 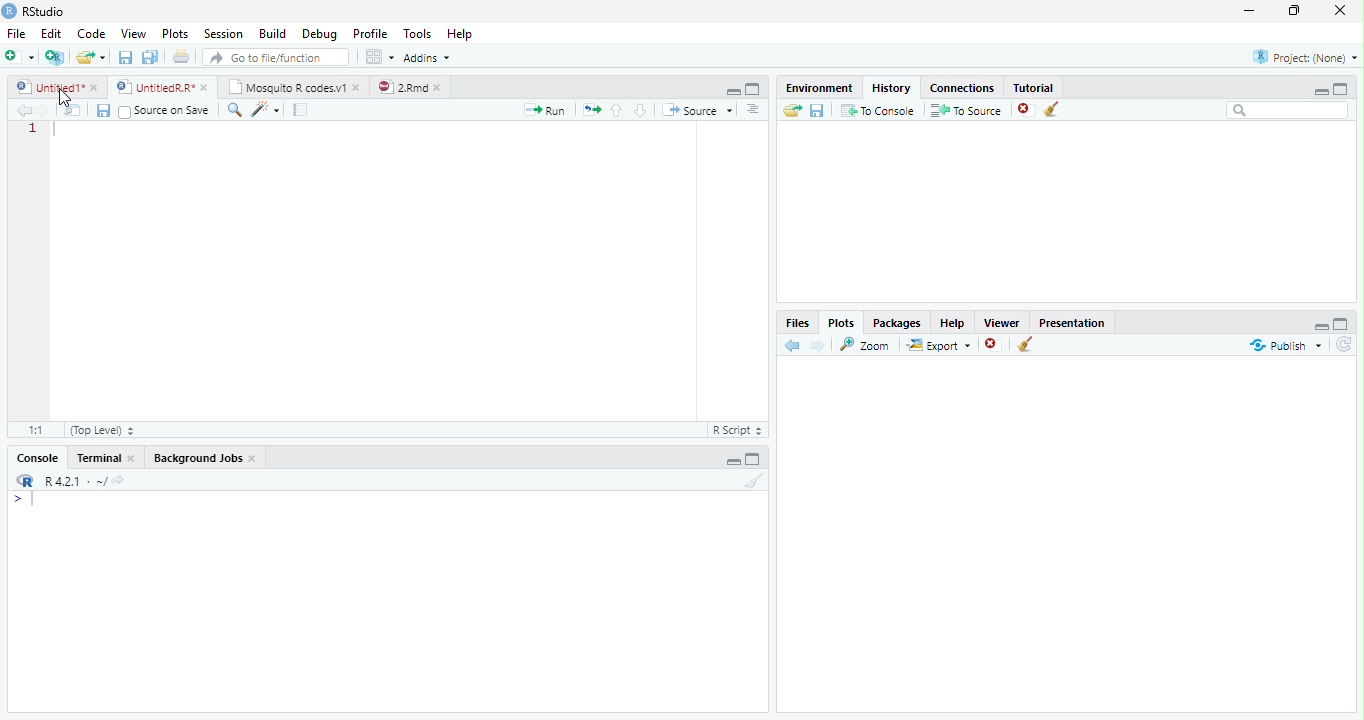 I want to click on Refresh List, so click(x=1345, y=345).